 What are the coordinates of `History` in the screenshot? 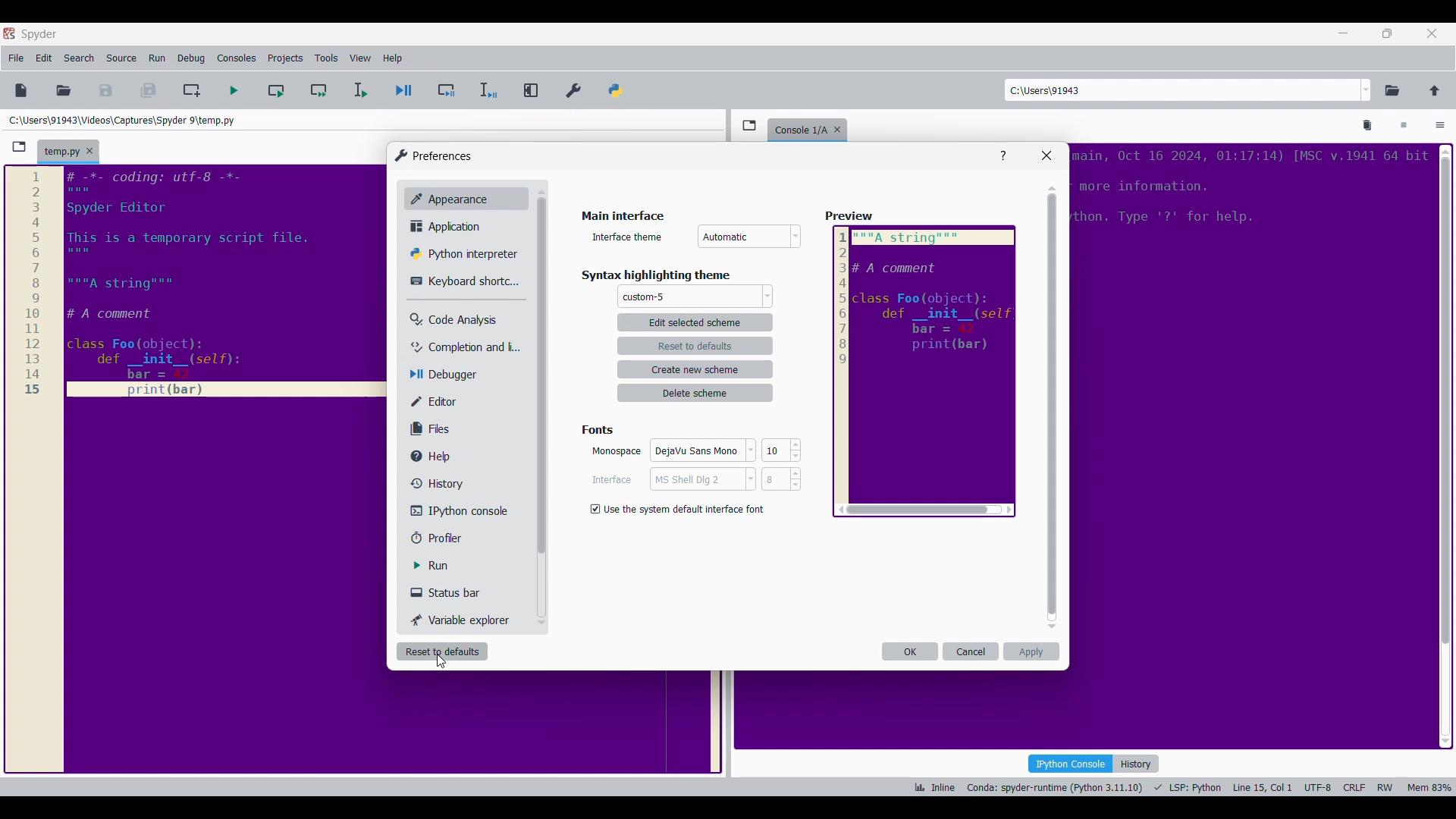 It's located at (1136, 763).